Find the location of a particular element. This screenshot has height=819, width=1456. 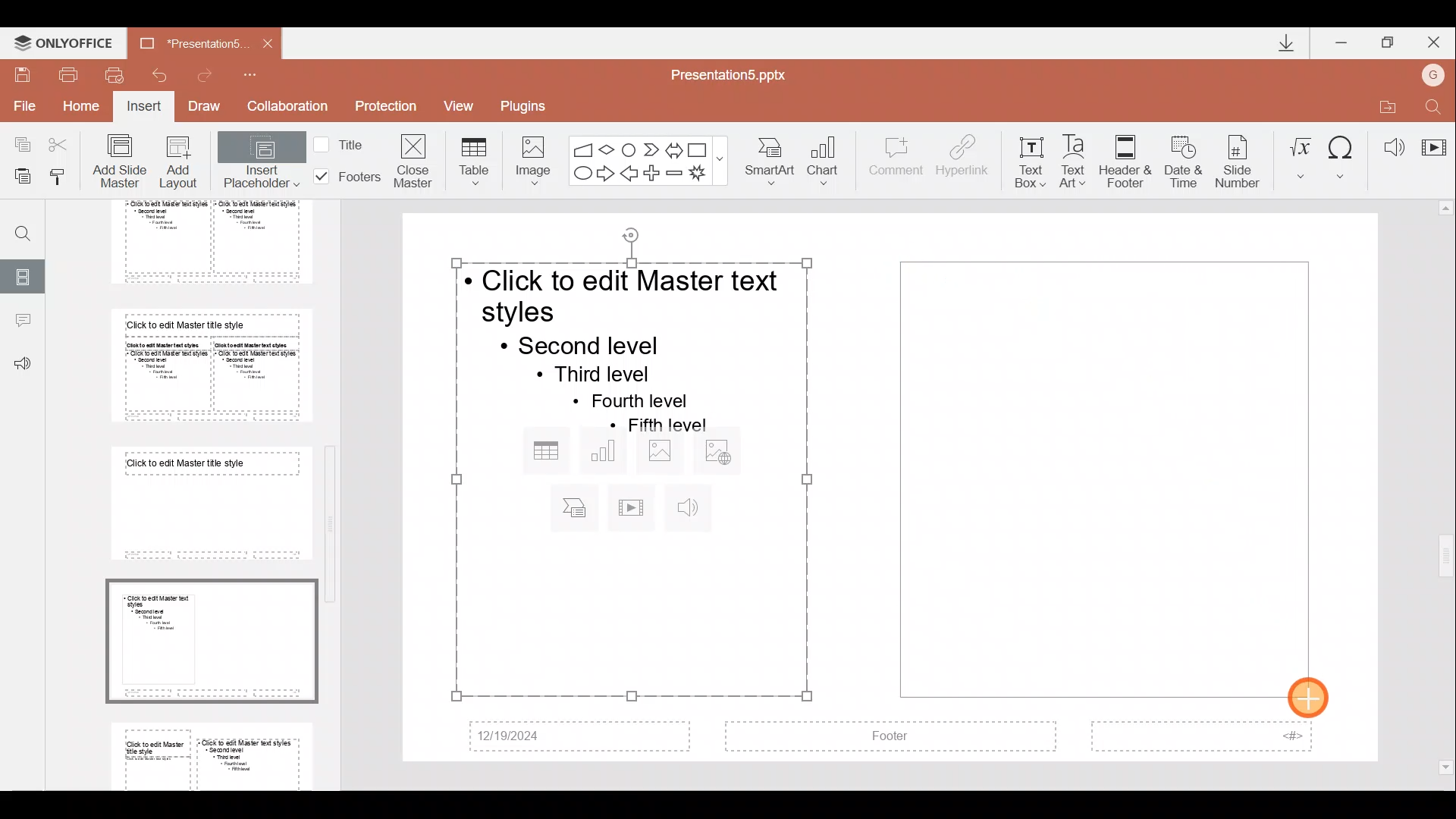

Document name is located at coordinates (737, 74).